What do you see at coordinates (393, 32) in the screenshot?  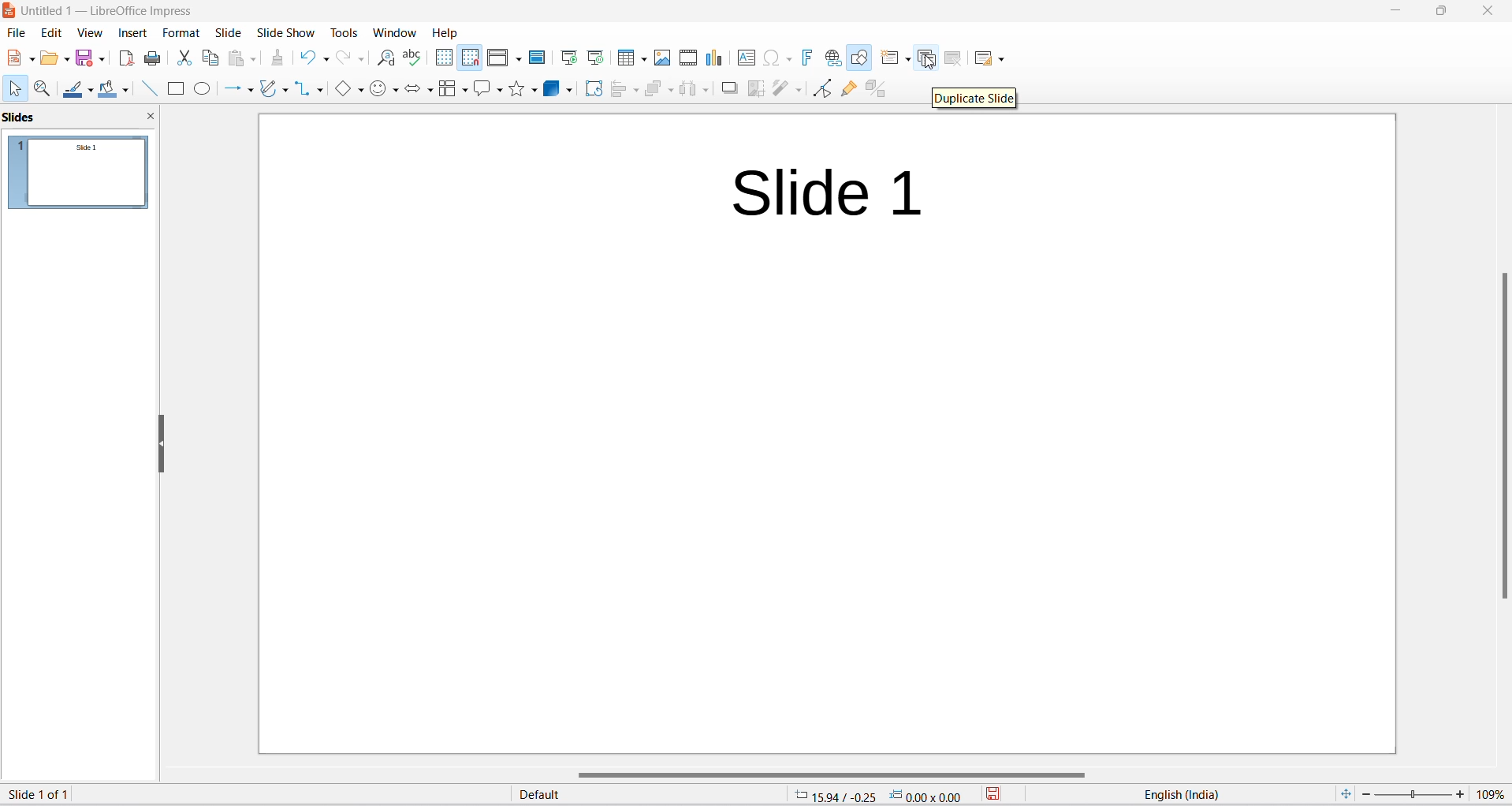 I see `window` at bounding box center [393, 32].